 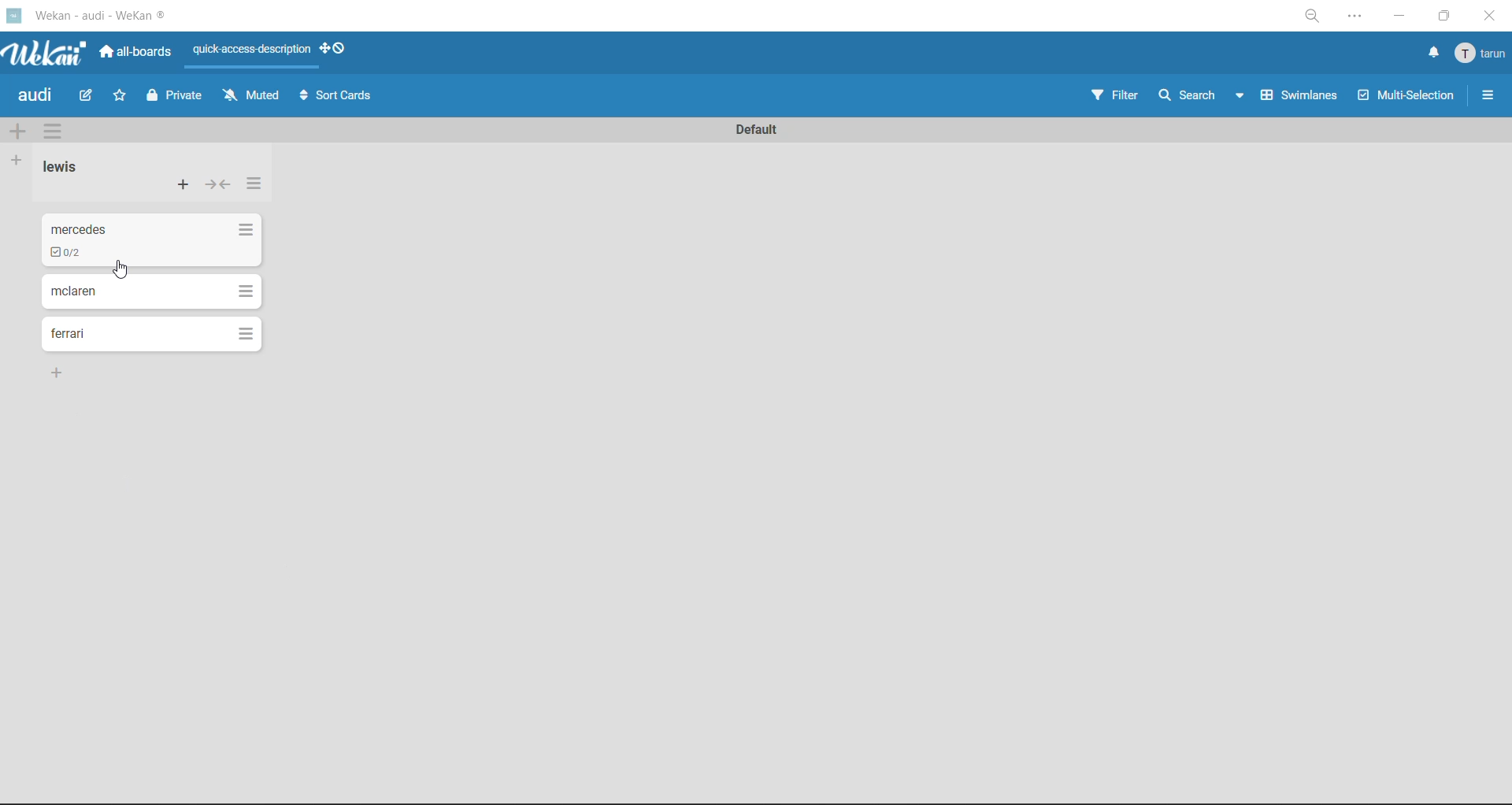 What do you see at coordinates (37, 98) in the screenshot?
I see `board title` at bounding box center [37, 98].